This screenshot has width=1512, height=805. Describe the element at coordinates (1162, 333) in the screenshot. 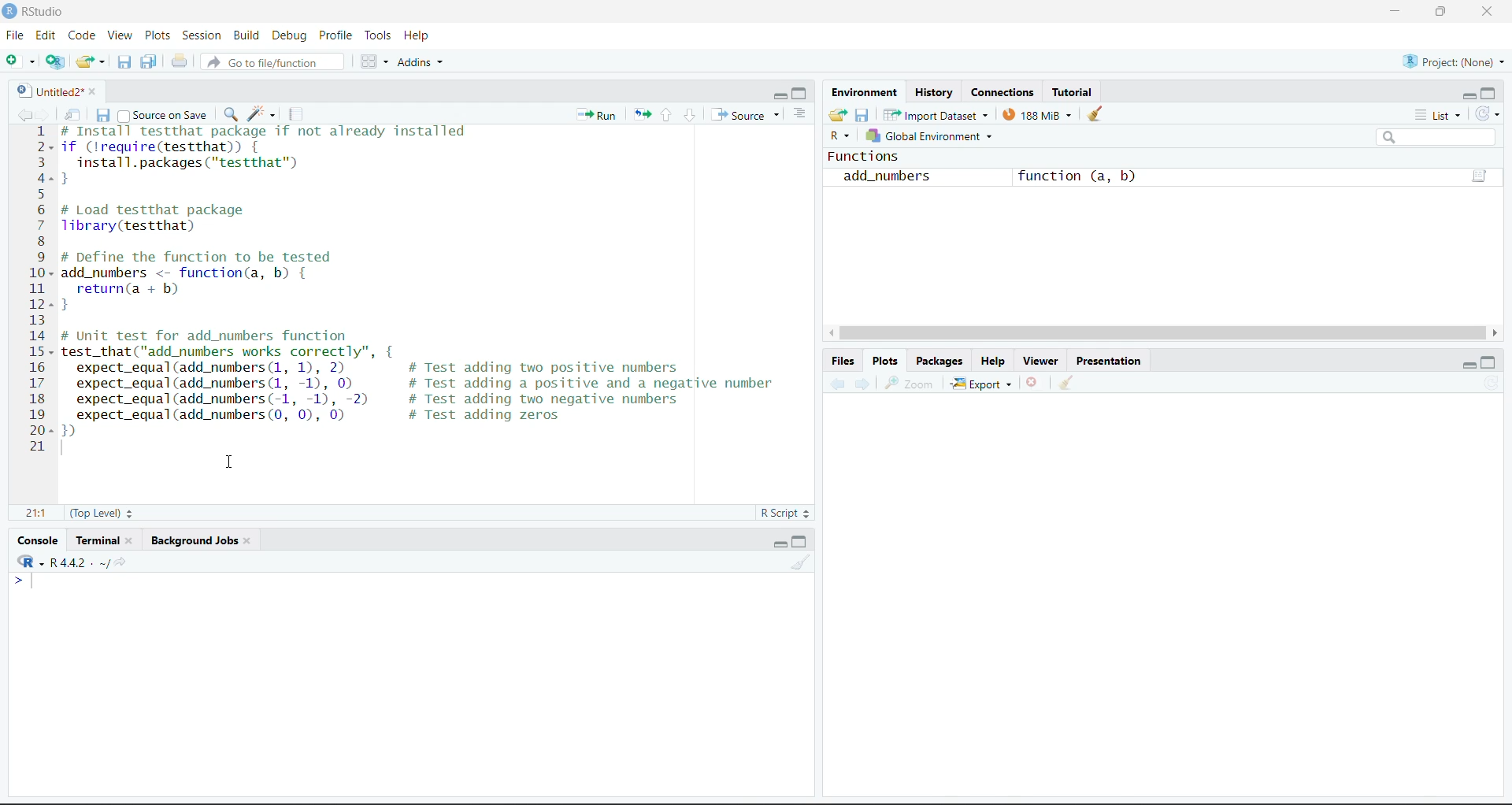

I see `horizontal scroll bar` at that location.